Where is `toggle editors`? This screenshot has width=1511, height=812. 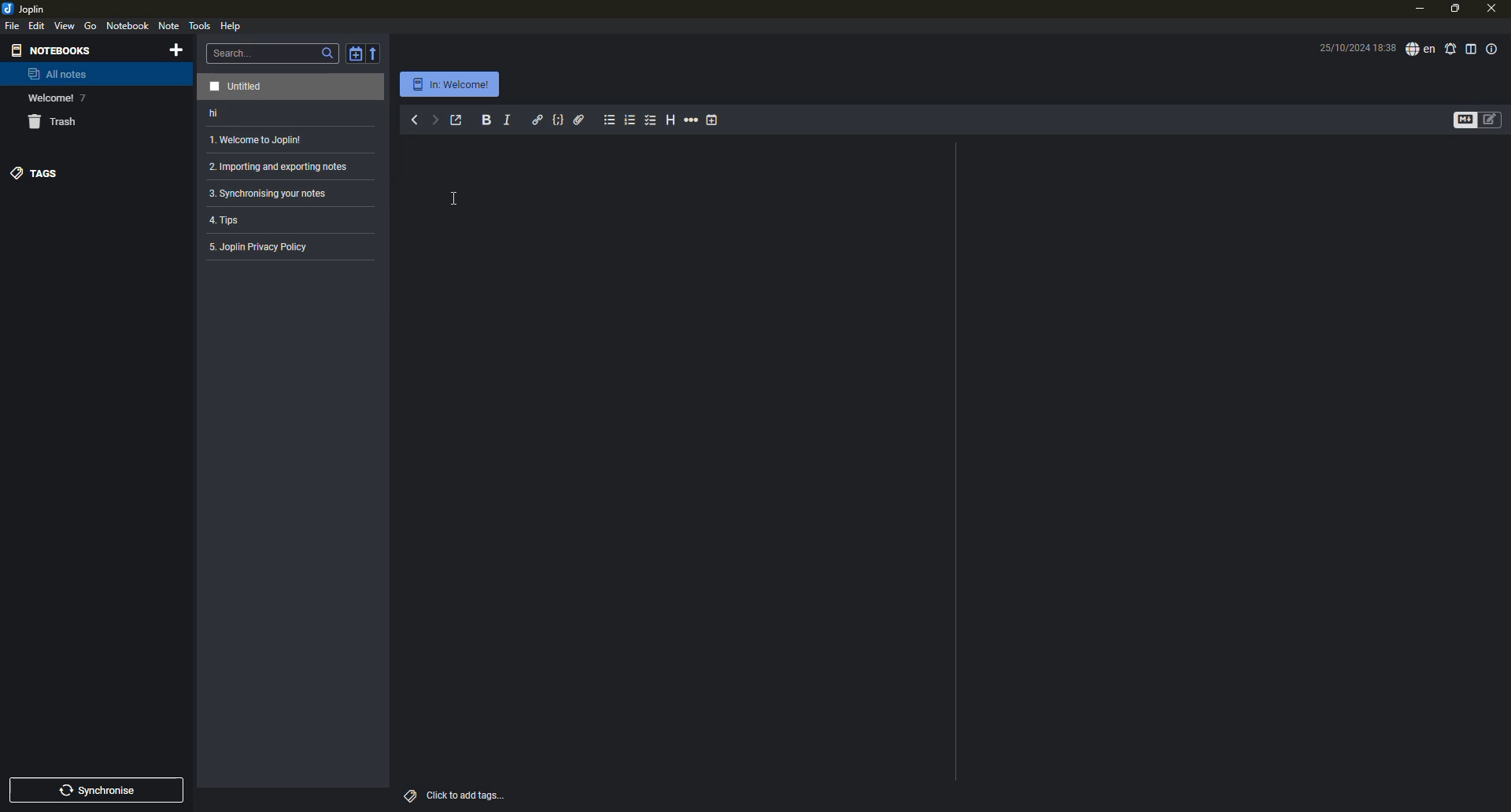
toggle editors is located at coordinates (1490, 119).